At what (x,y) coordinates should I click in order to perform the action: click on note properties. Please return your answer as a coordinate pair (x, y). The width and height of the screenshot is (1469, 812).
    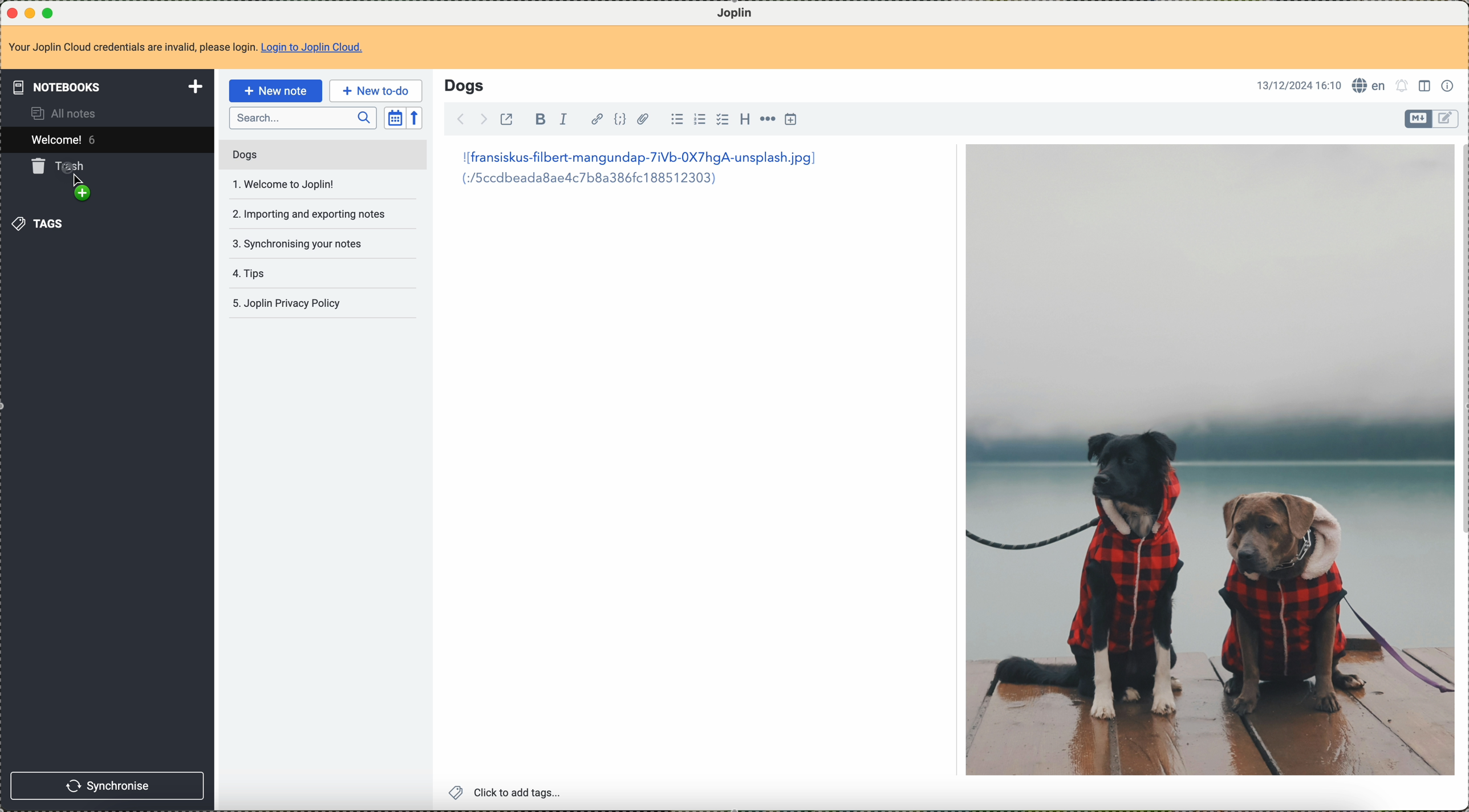
    Looking at the image, I should click on (1450, 87).